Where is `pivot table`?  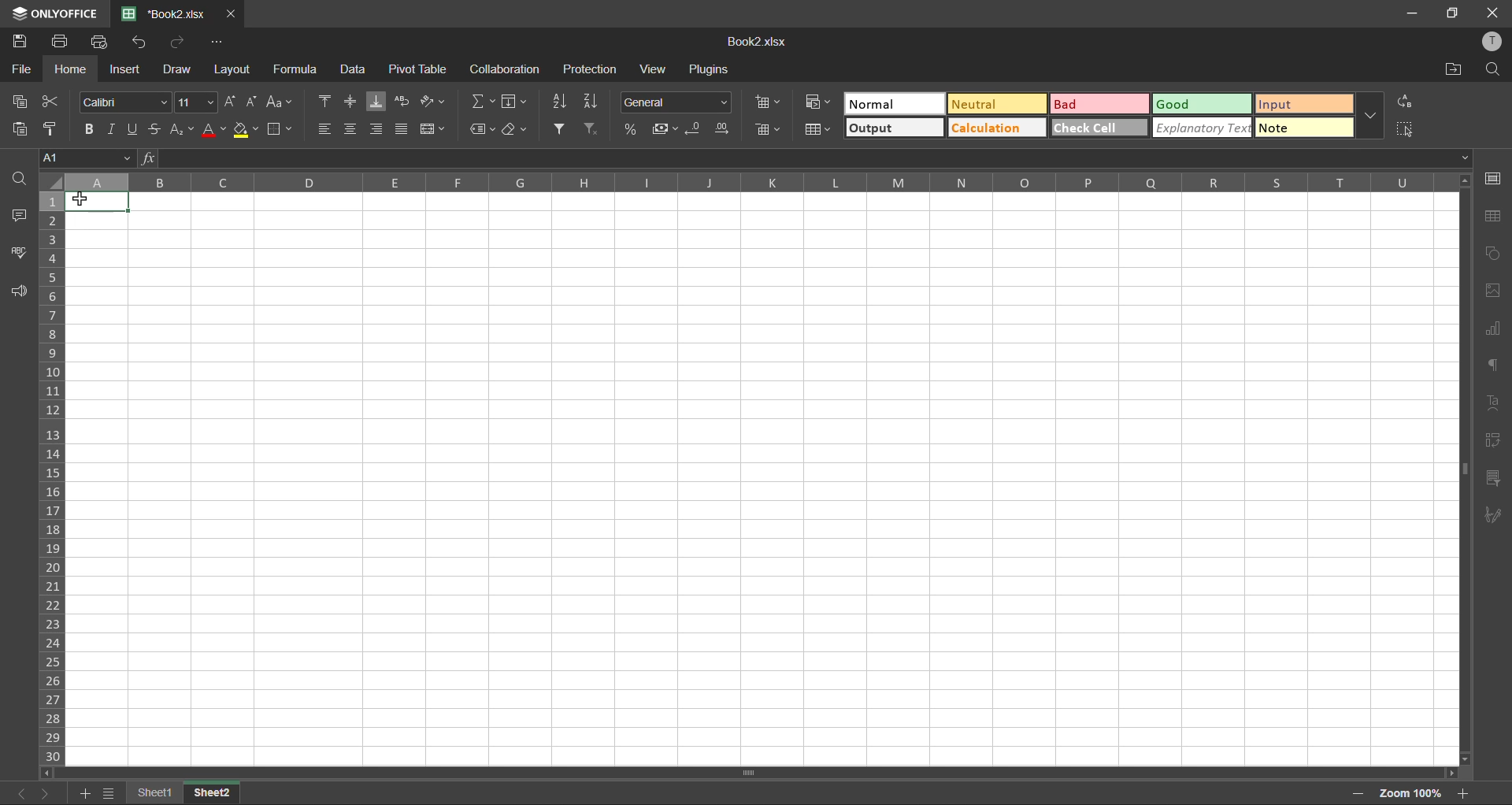 pivot table is located at coordinates (1491, 440).